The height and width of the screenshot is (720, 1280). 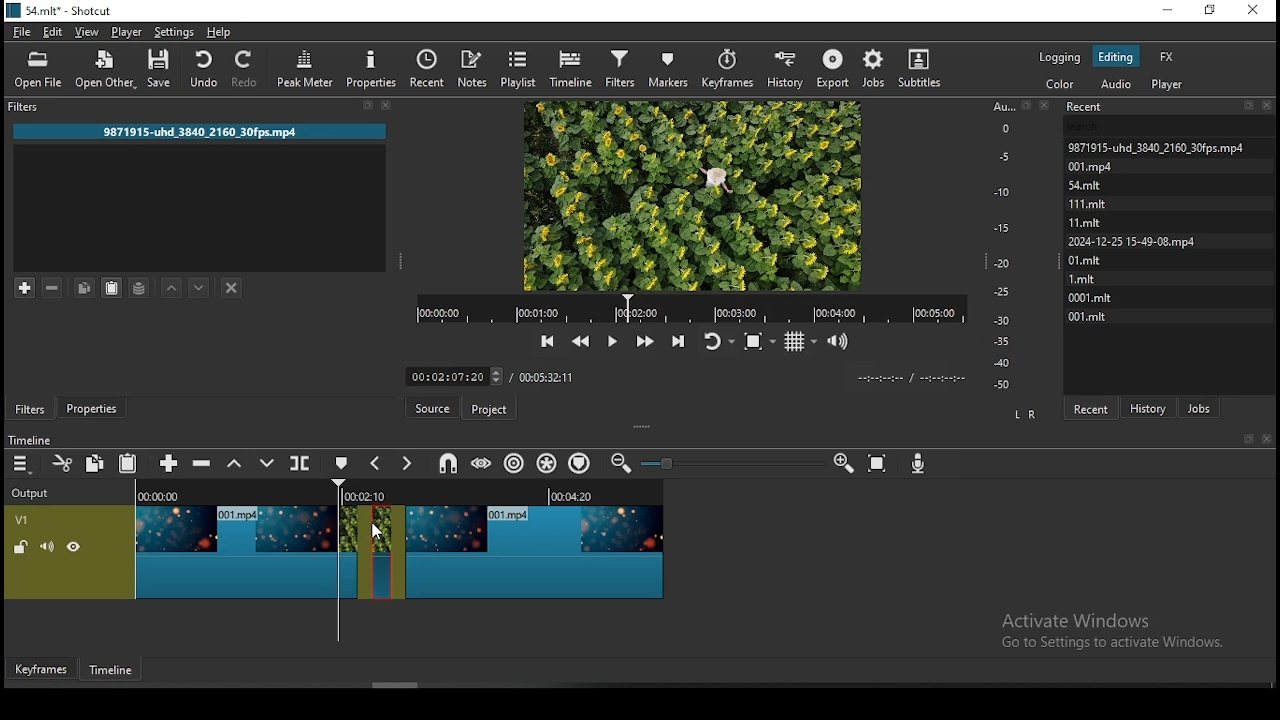 I want to click on video clip, so click(x=382, y=552).